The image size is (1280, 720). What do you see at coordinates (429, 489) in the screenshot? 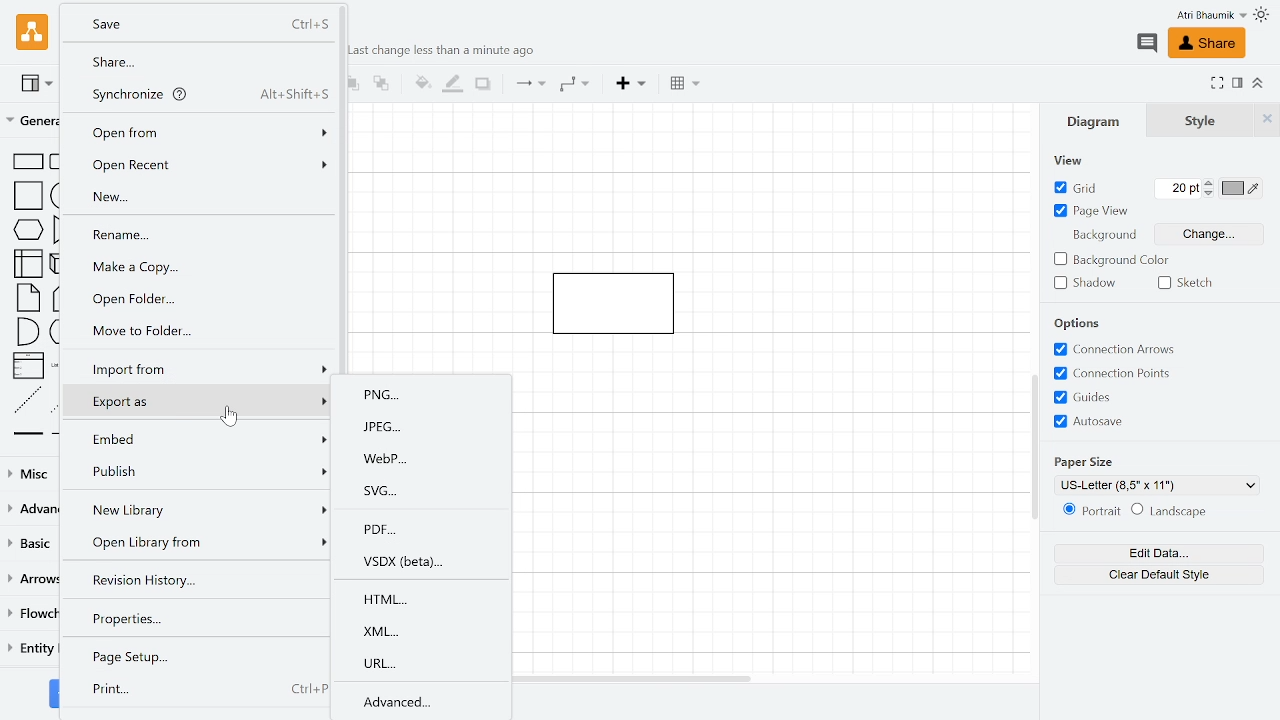
I see `SVG..` at bounding box center [429, 489].